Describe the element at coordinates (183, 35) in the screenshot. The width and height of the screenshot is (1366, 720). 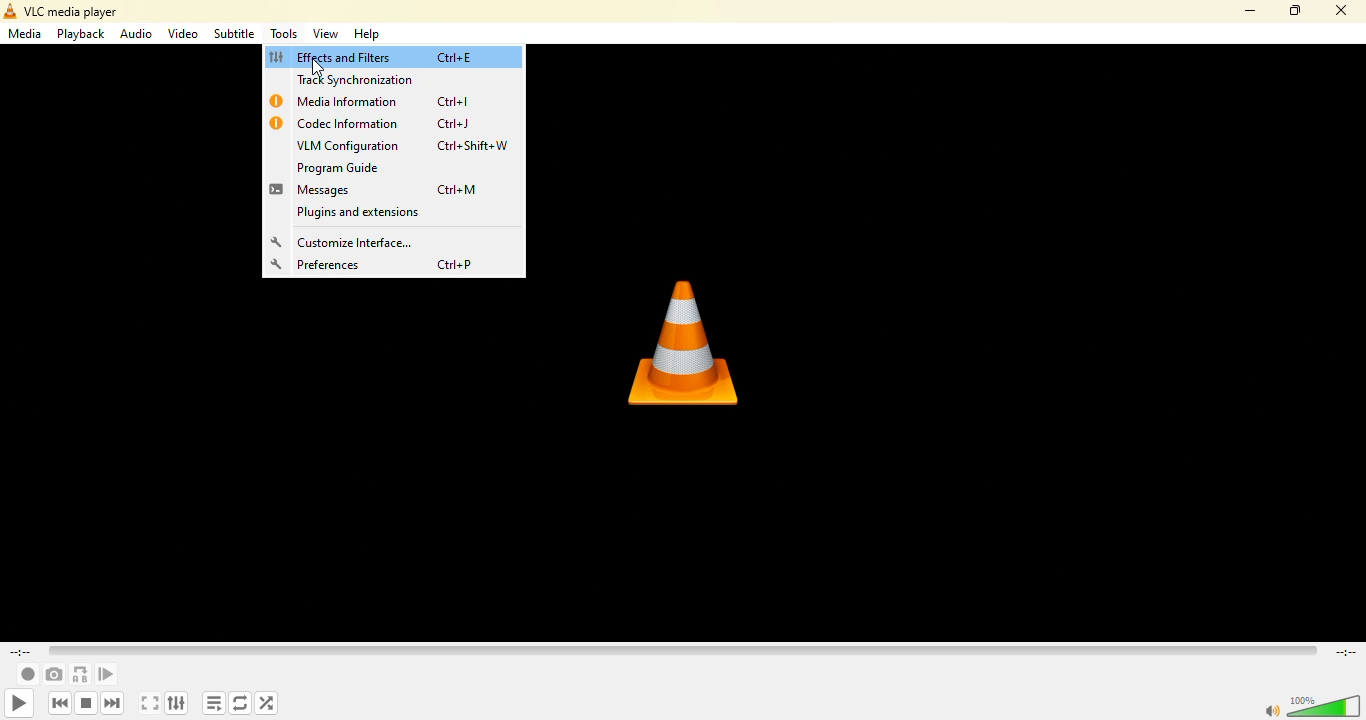
I see `video` at that location.